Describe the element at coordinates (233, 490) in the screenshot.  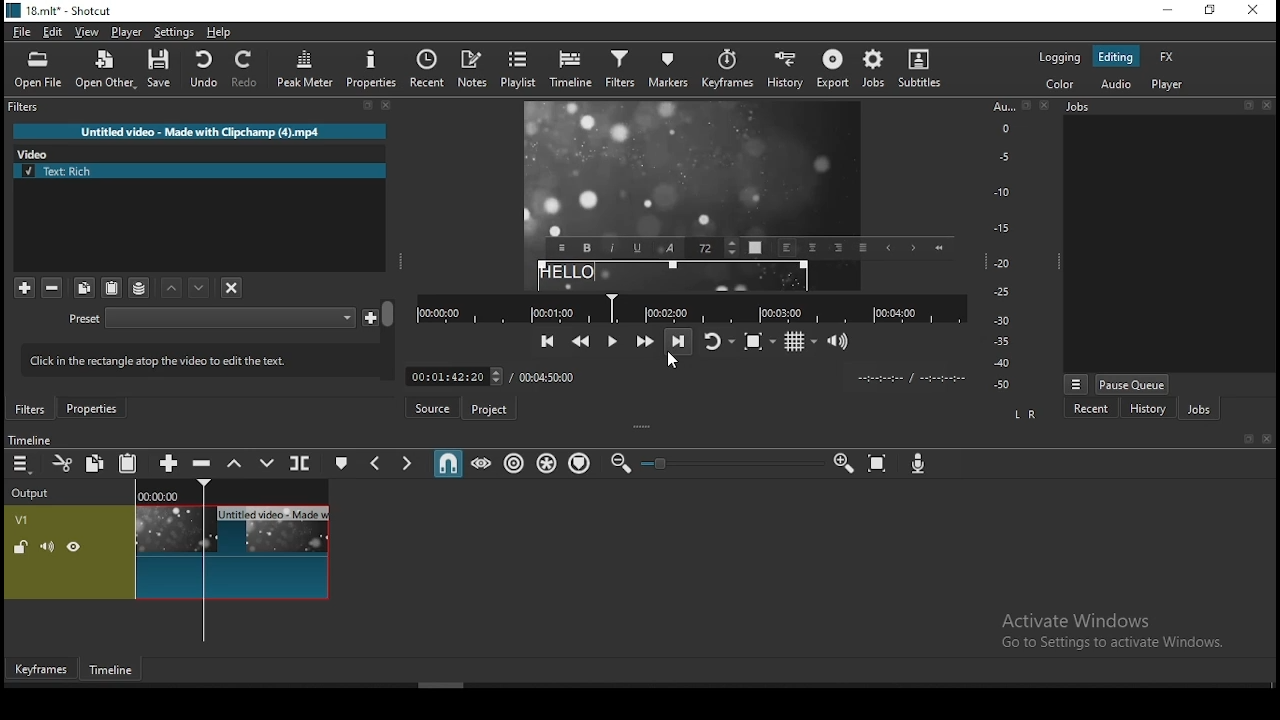
I see `Timeline` at that location.